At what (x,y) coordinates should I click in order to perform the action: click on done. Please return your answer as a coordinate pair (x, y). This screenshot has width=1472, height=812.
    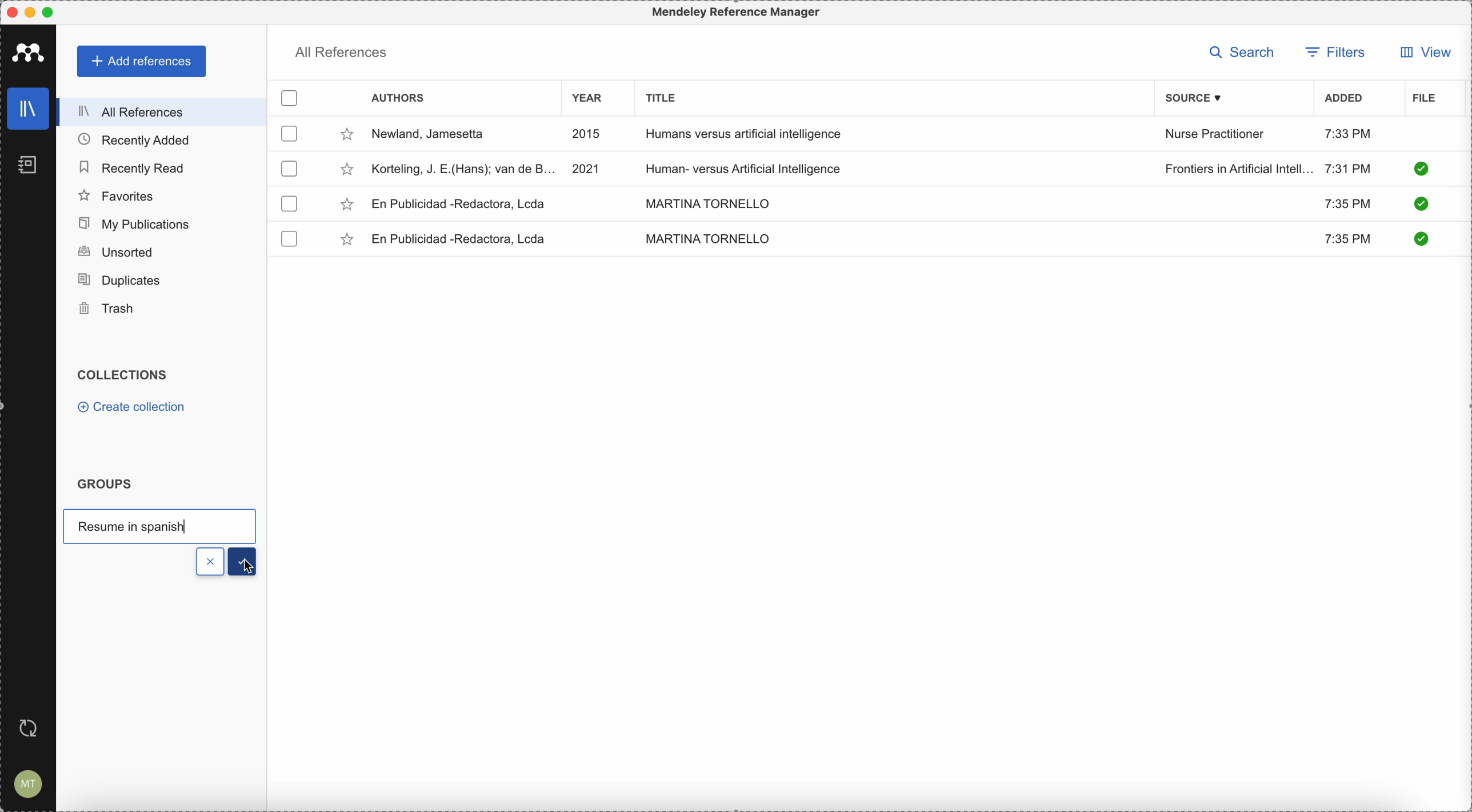
    Looking at the image, I should click on (234, 561).